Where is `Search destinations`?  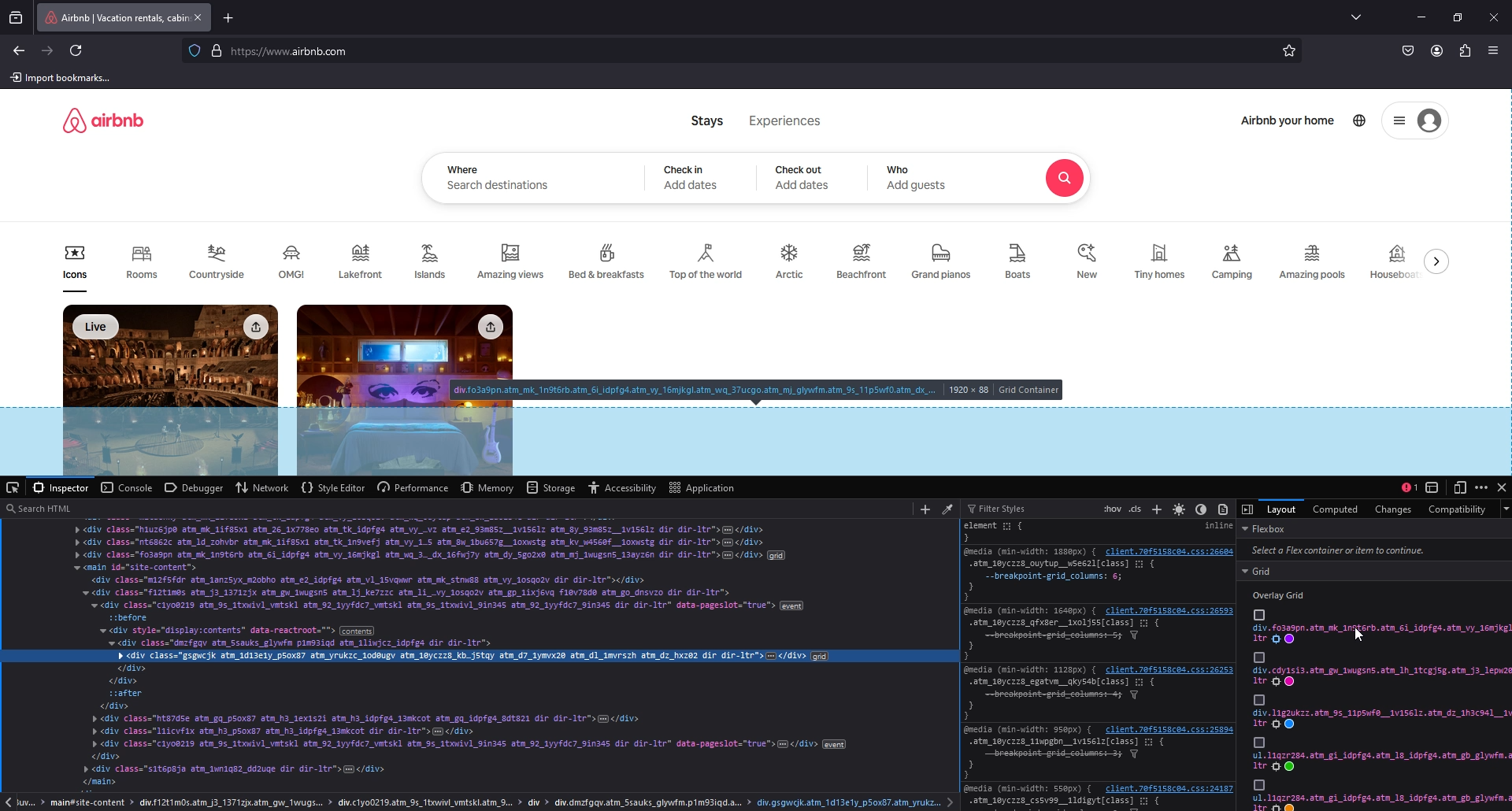 Search destinations is located at coordinates (500, 187).